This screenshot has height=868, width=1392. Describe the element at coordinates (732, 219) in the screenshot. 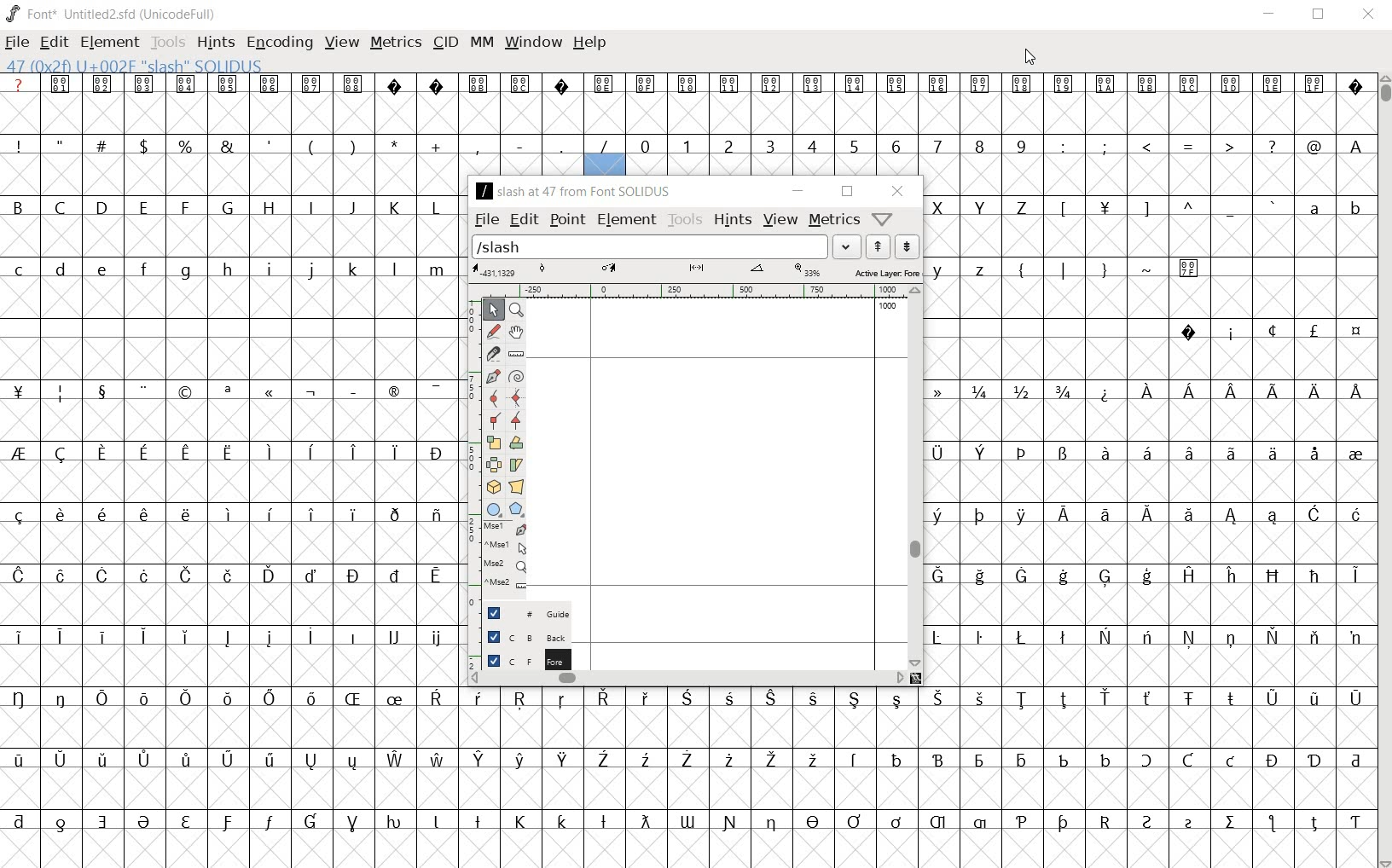

I see `hints` at that location.